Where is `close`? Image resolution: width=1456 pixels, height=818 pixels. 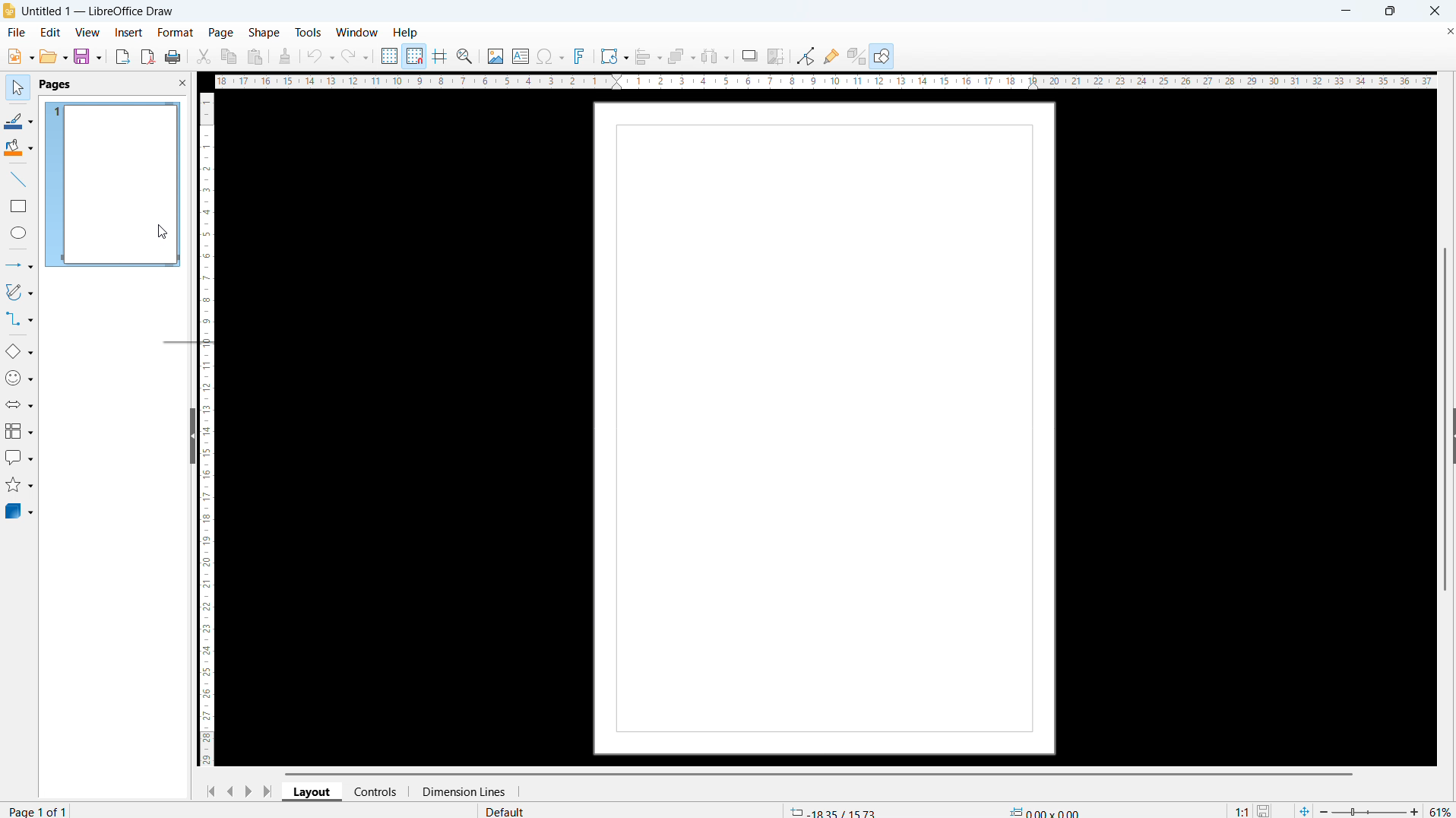 close is located at coordinates (1435, 11).